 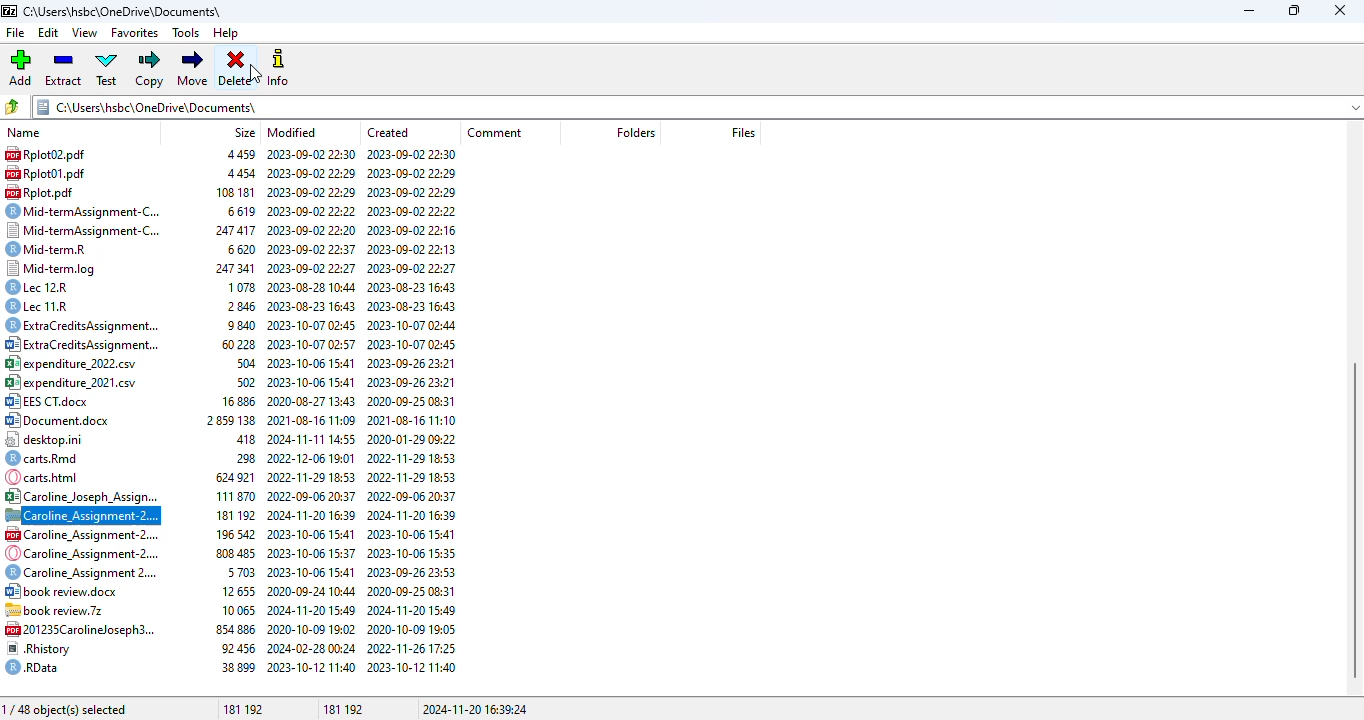 What do you see at coordinates (309, 343) in the screenshot?
I see `2023-10-07 02:57` at bounding box center [309, 343].